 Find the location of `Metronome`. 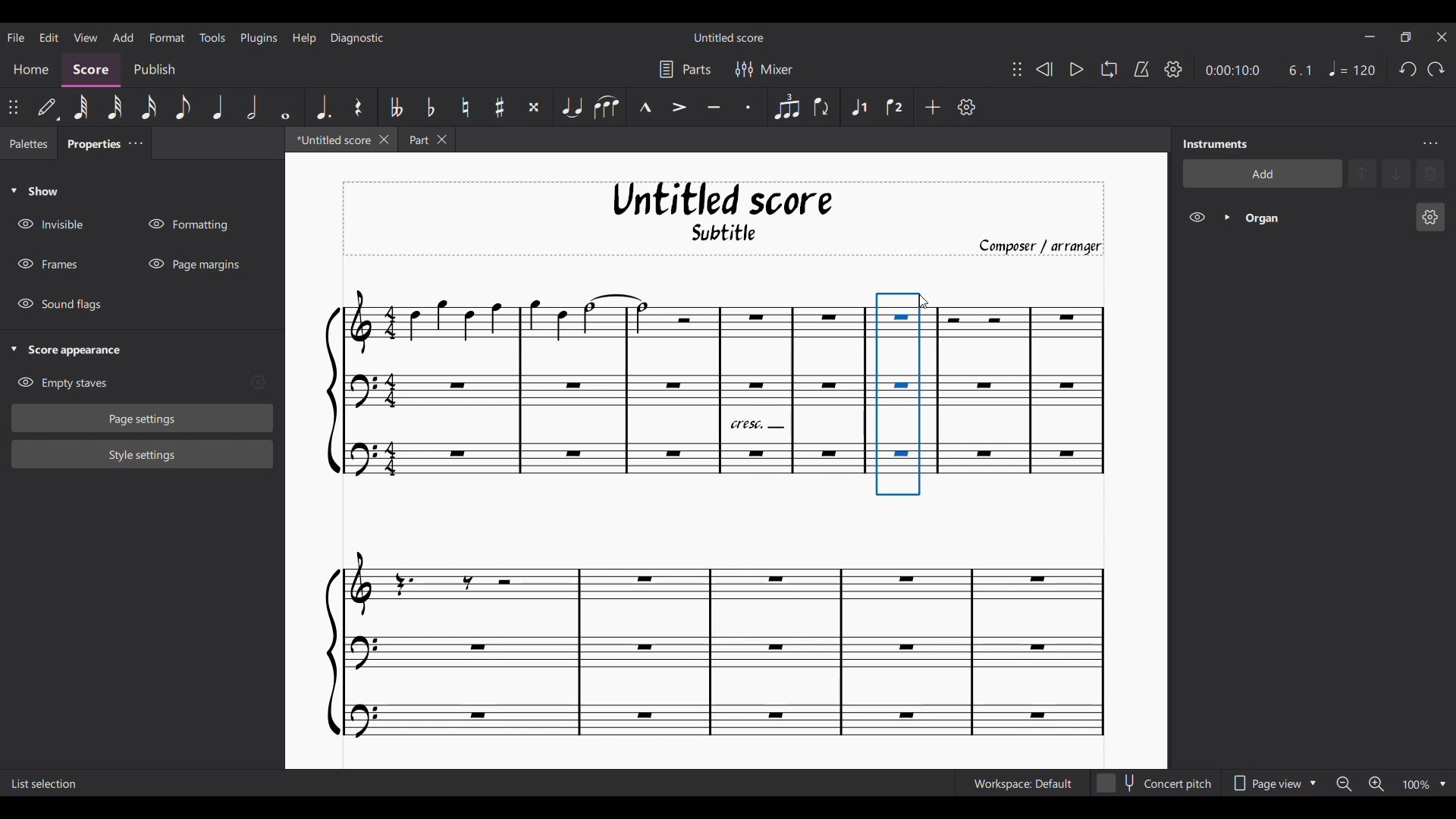

Metronome is located at coordinates (1141, 70).